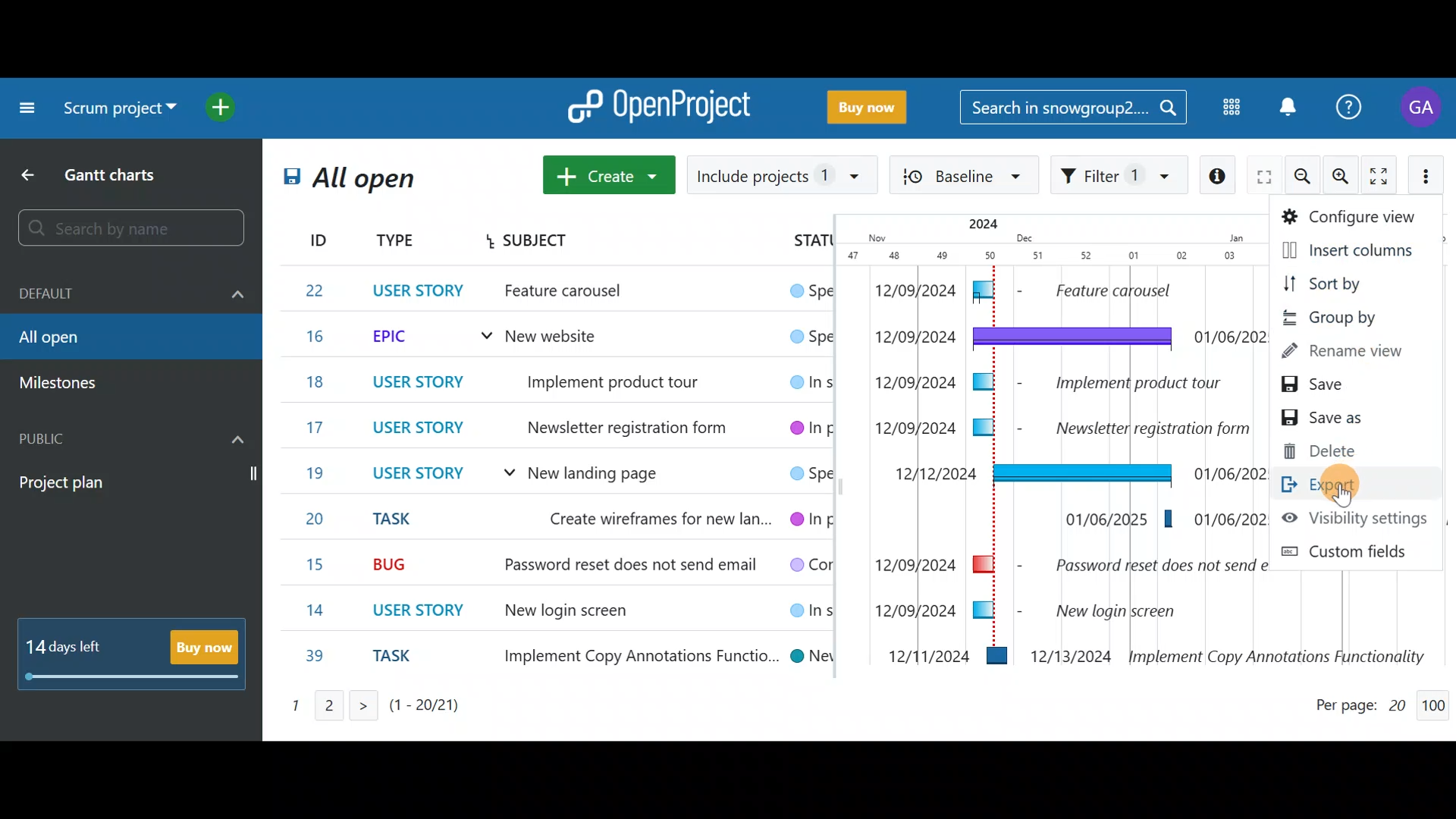  I want to click on 100, so click(1437, 701).